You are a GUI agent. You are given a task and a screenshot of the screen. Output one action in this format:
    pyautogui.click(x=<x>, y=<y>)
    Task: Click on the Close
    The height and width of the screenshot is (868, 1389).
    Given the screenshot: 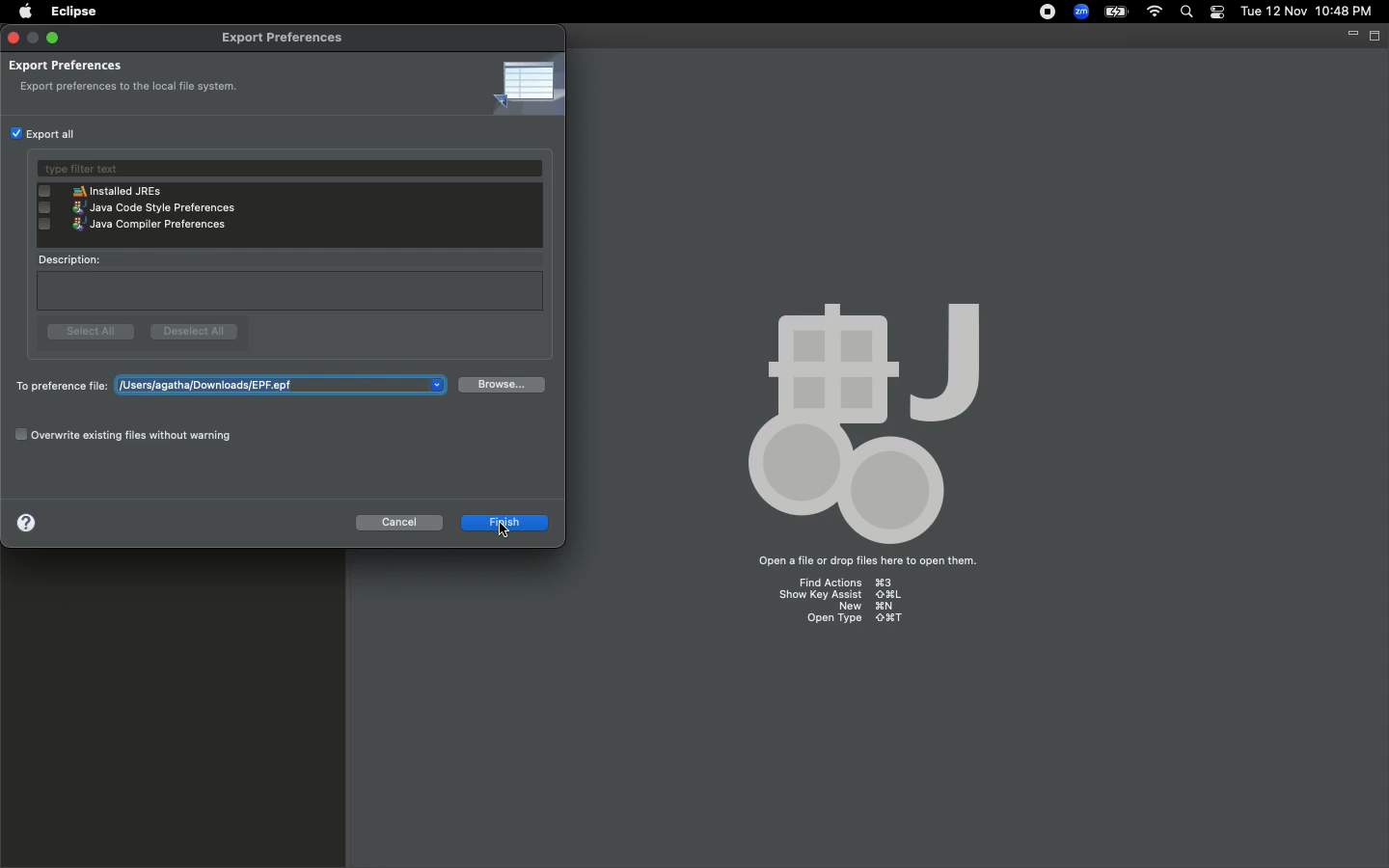 What is the action you would take?
    pyautogui.click(x=14, y=39)
    